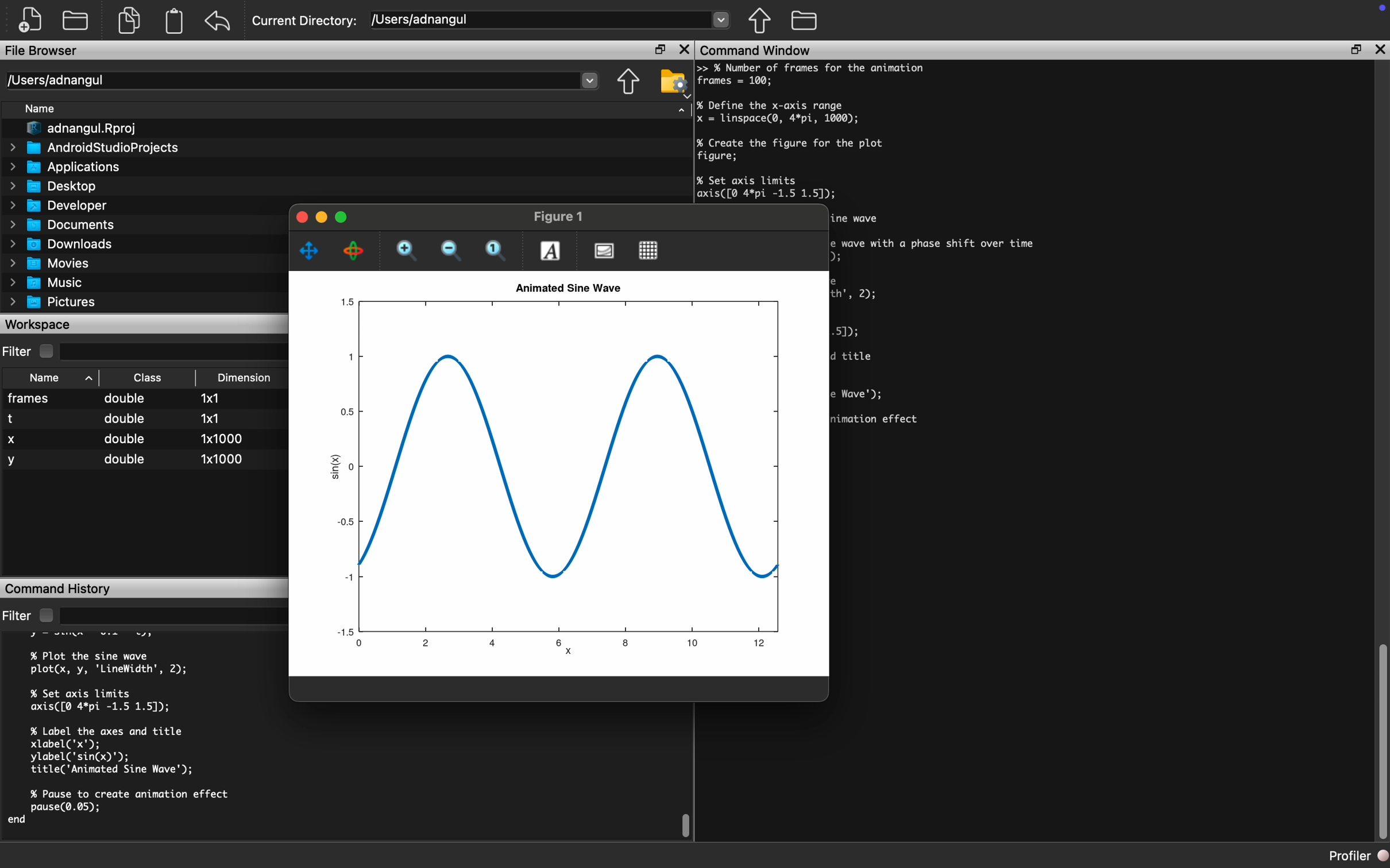  I want to click on Documents, so click(61, 225).